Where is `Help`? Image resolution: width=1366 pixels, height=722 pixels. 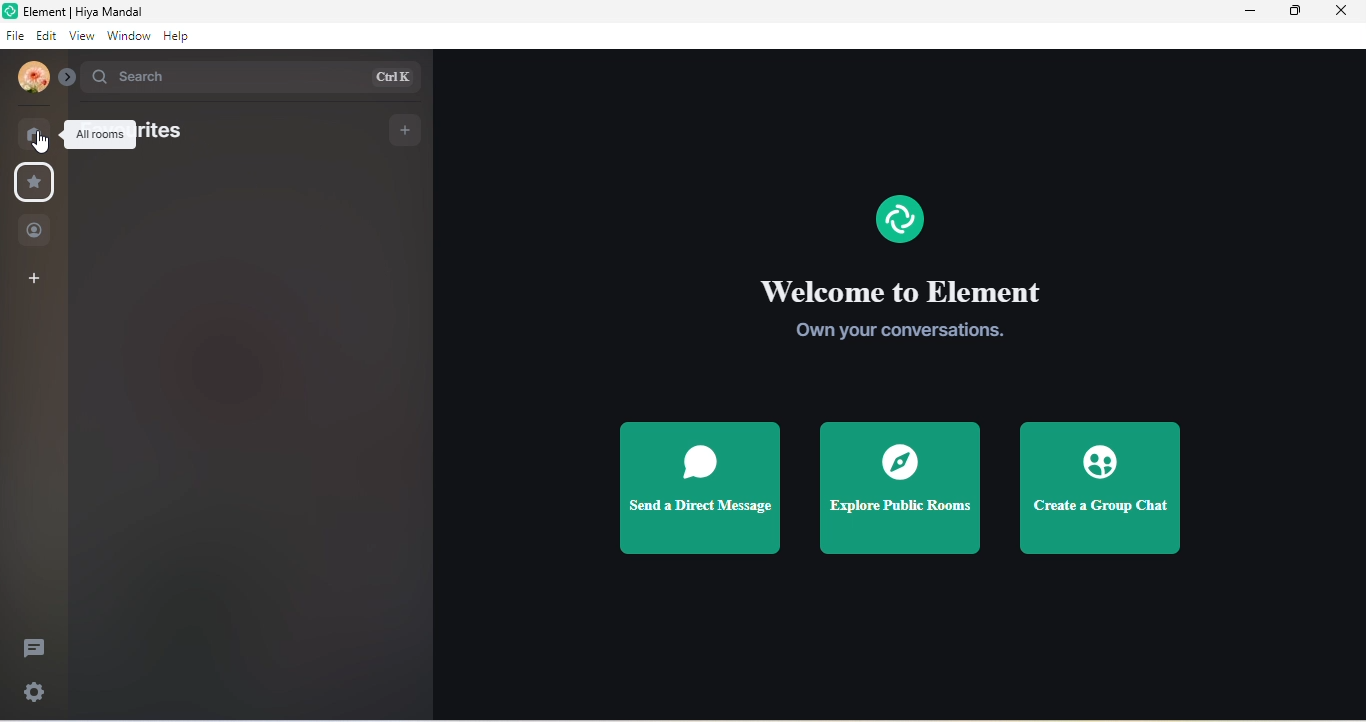
Help is located at coordinates (177, 36).